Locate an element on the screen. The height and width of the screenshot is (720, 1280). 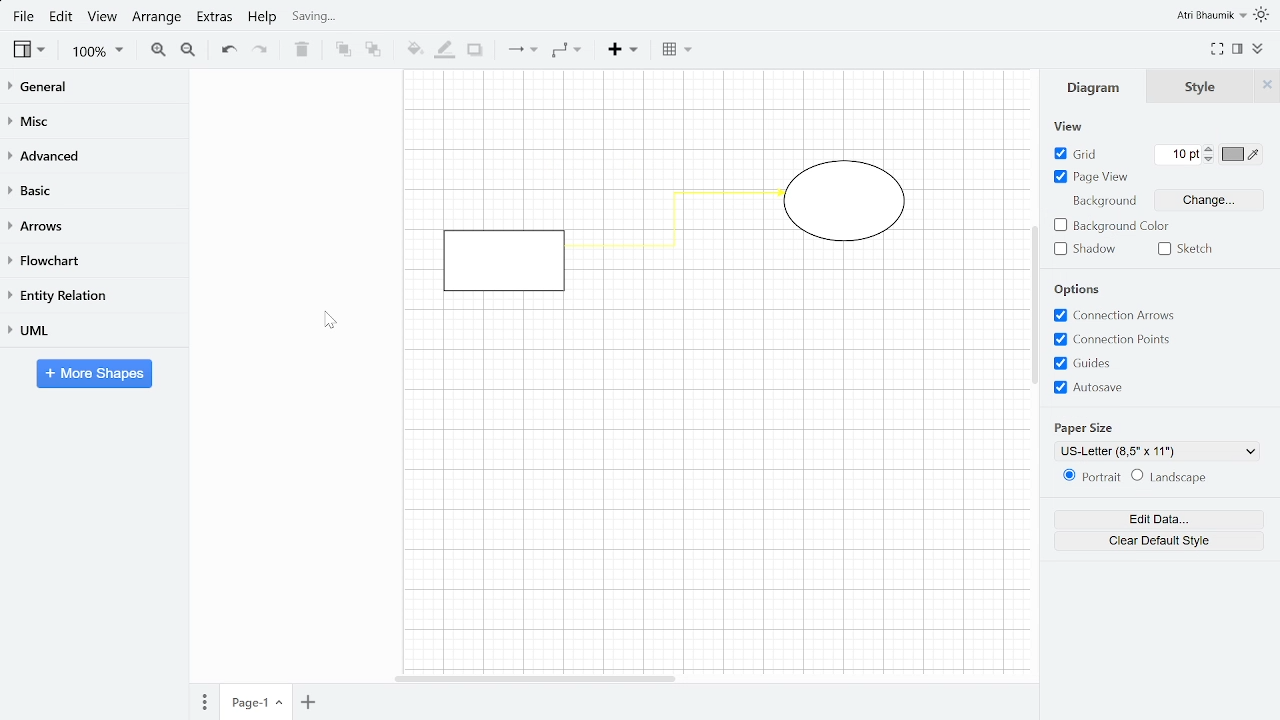
Help is located at coordinates (263, 18).